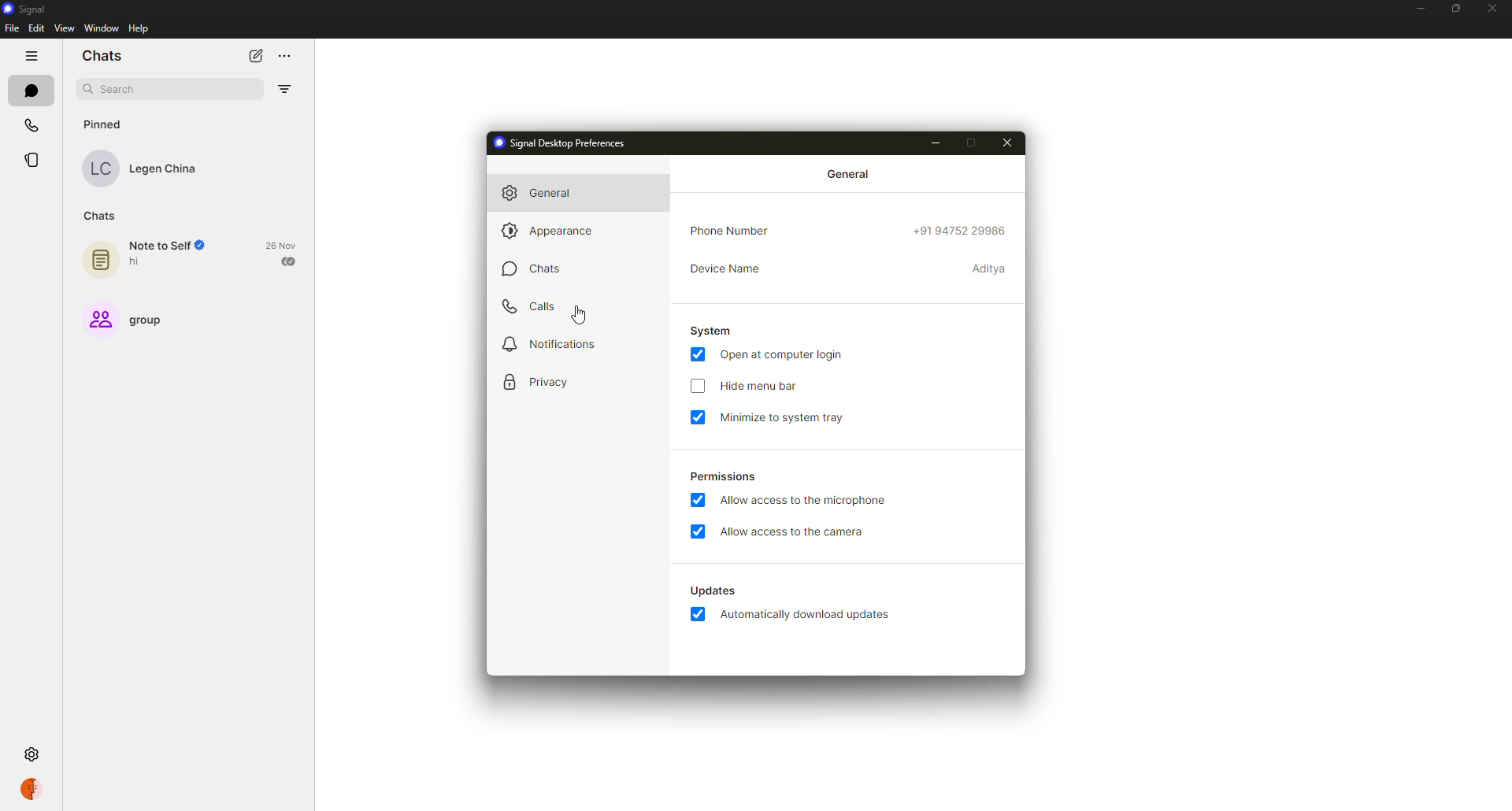 Image resolution: width=1512 pixels, height=811 pixels. I want to click on note to self, so click(167, 246).